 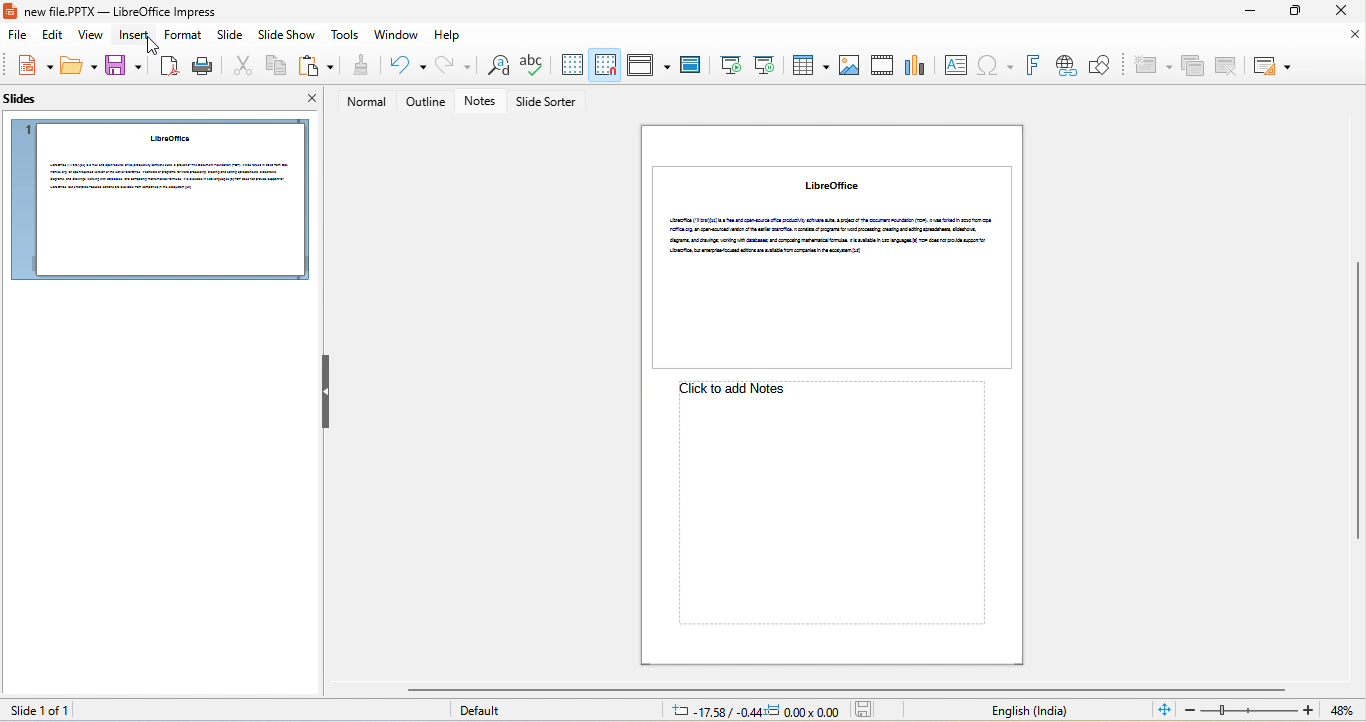 I want to click on font work text, so click(x=1032, y=66).